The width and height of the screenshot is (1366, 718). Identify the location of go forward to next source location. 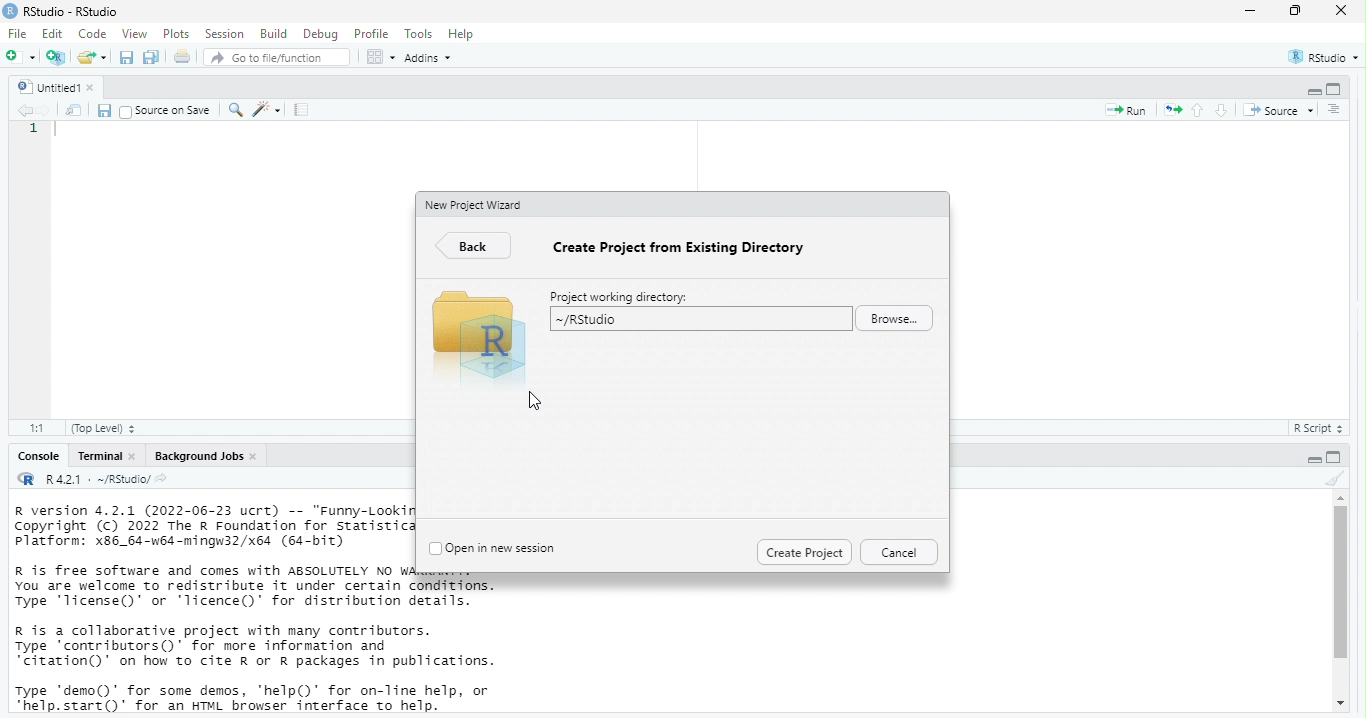
(46, 109).